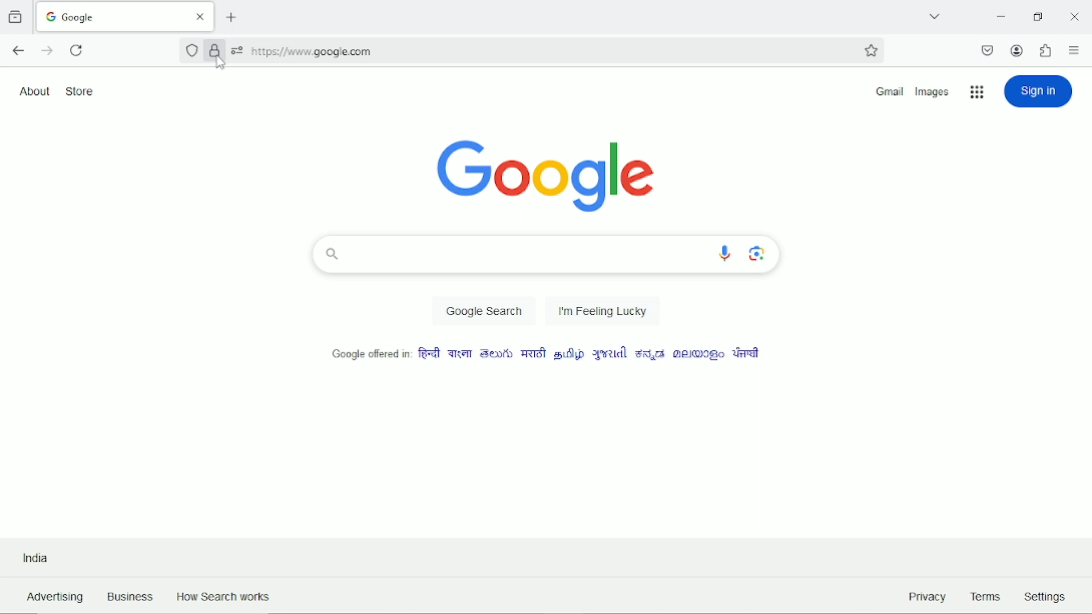 The height and width of the screenshot is (614, 1092). Describe the element at coordinates (35, 556) in the screenshot. I see `India` at that location.